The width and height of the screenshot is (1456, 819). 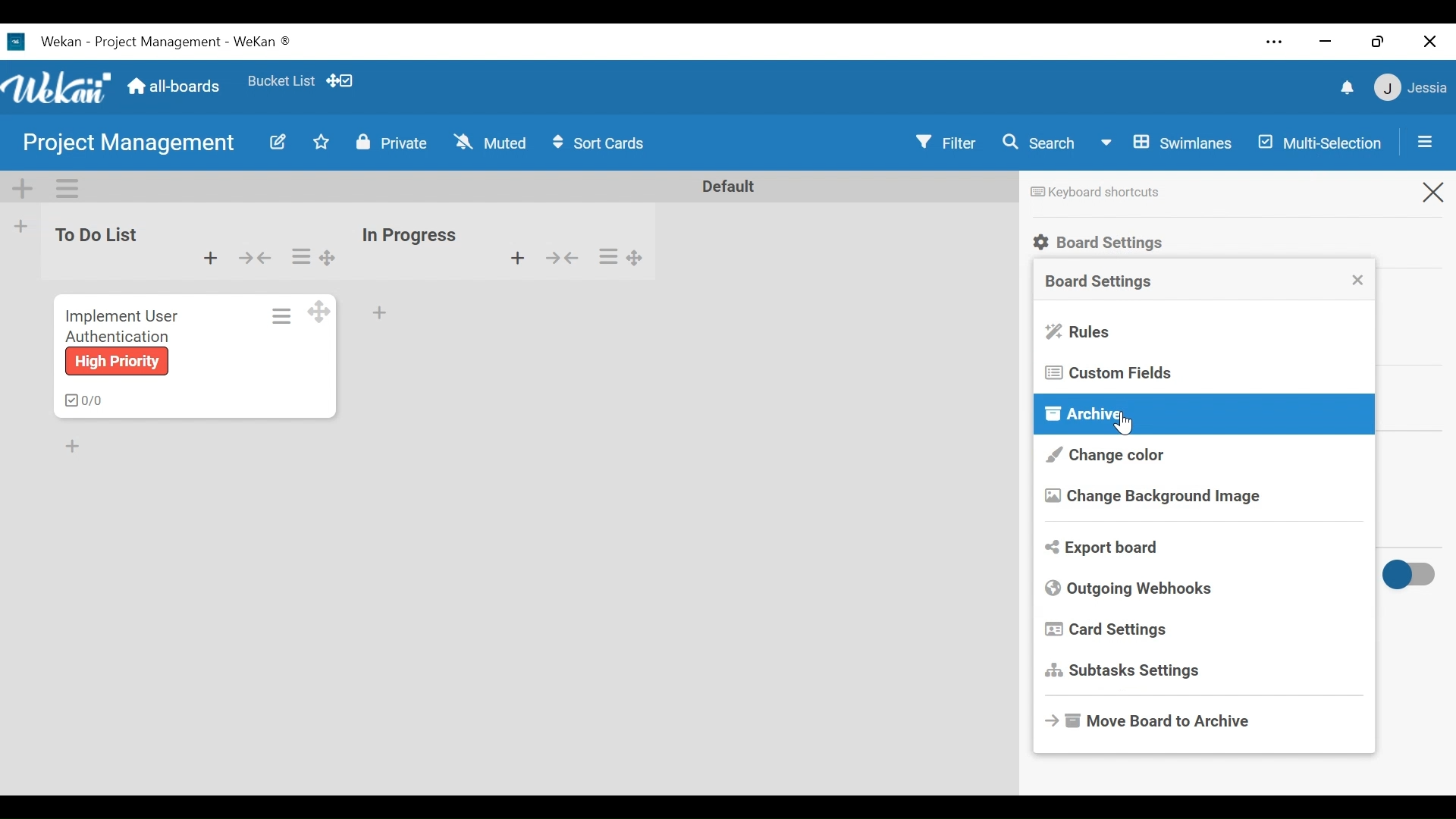 What do you see at coordinates (275, 143) in the screenshot?
I see `Edit` at bounding box center [275, 143].